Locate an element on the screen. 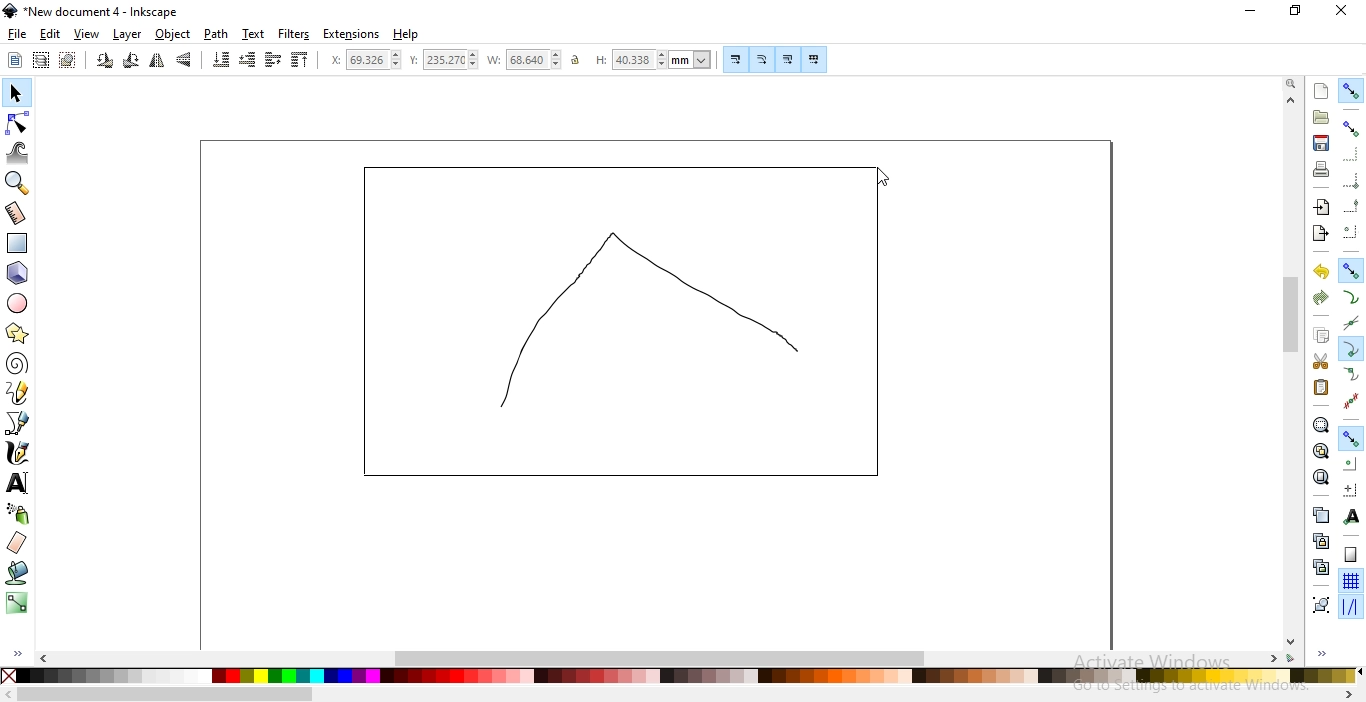 Image resolution: width=1366 pixels, height=702 pixels. draw freehand lines is located at coordinates (18, 392).